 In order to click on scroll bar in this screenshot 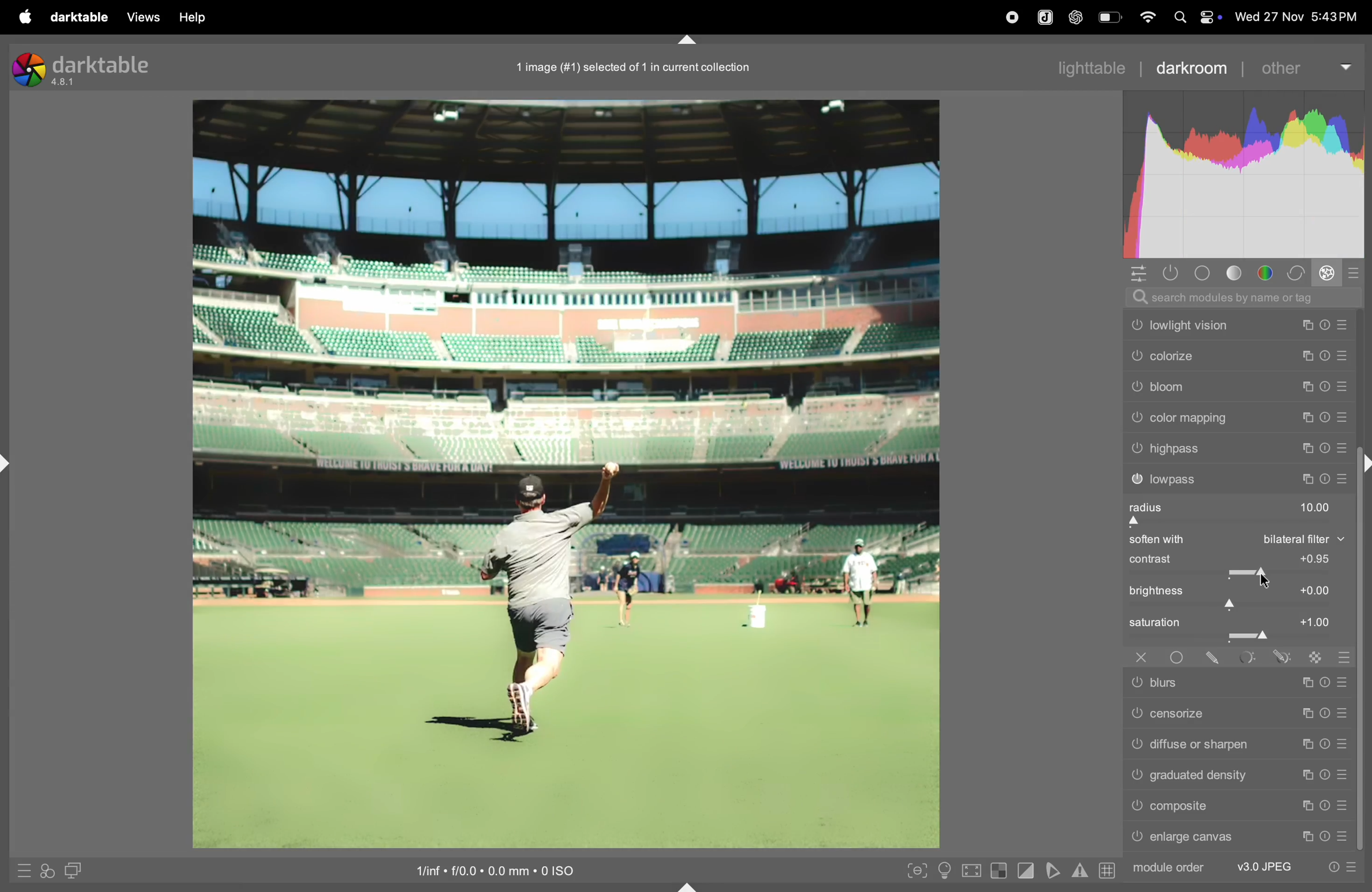, I will do `click(1364, 670)`.